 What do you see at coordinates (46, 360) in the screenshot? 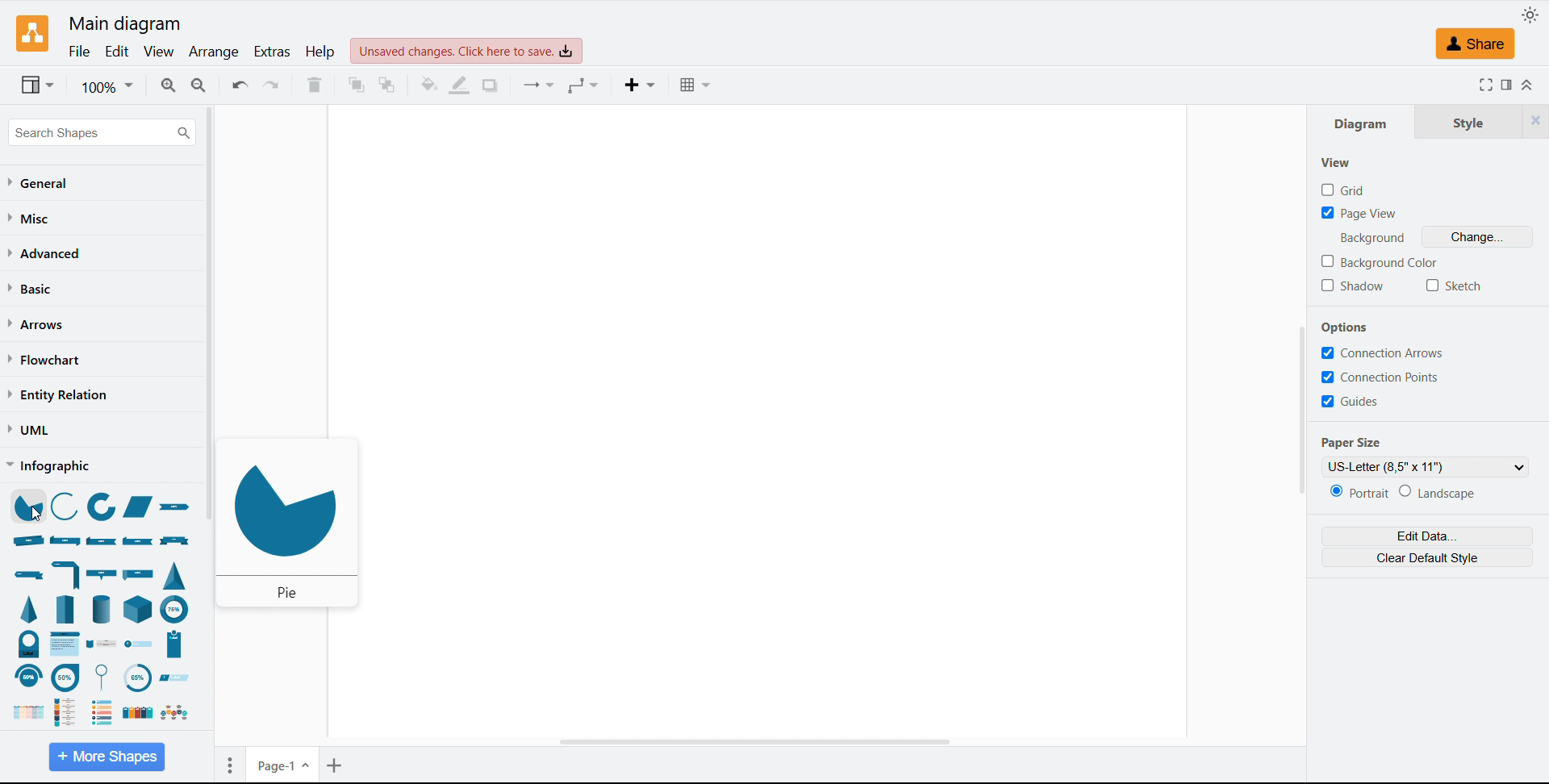
I see `Flow chart` at bounding box center [46, 360].